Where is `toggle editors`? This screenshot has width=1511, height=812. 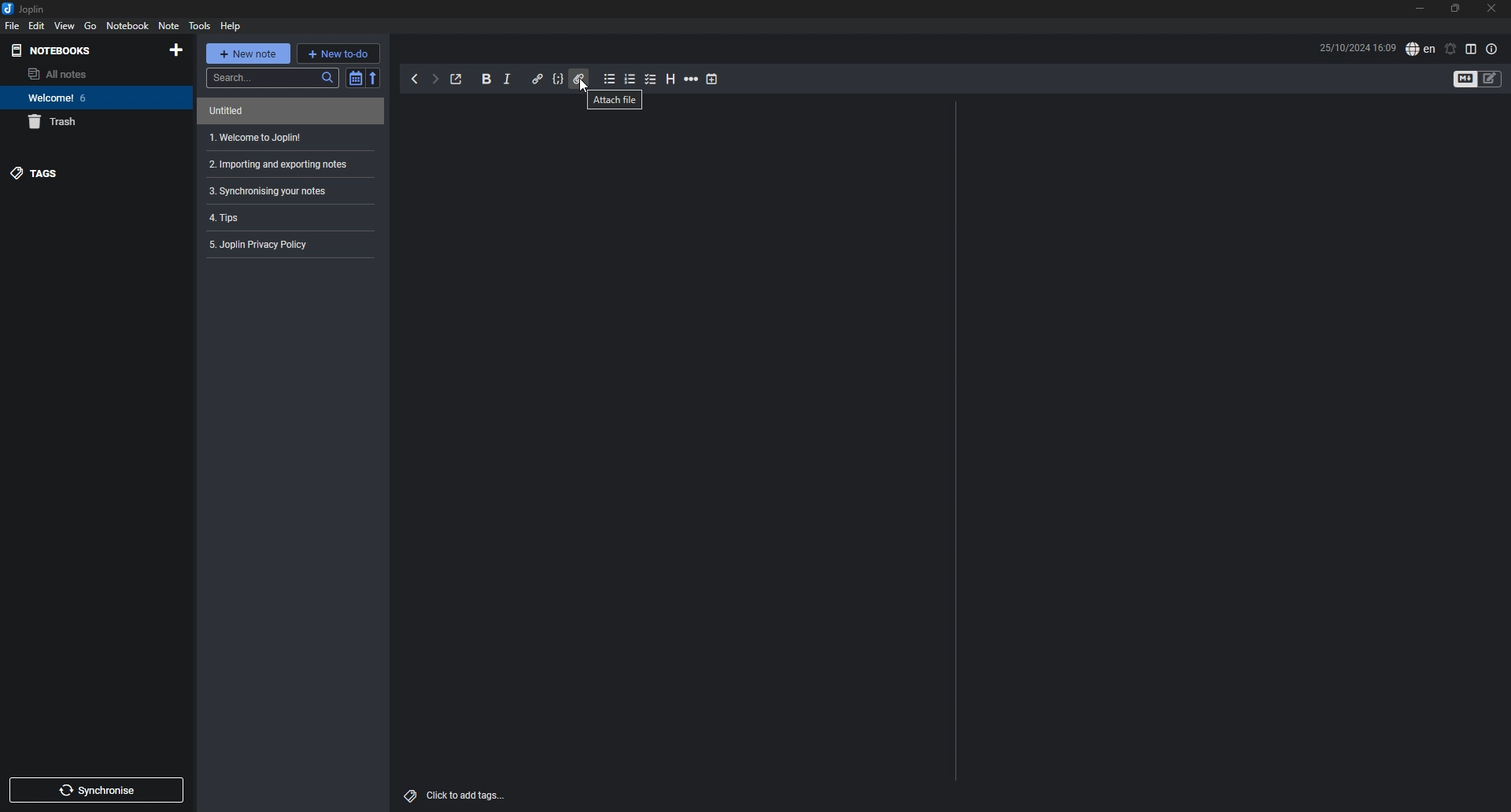 toggle editors is located at coordinates (1491, 79).